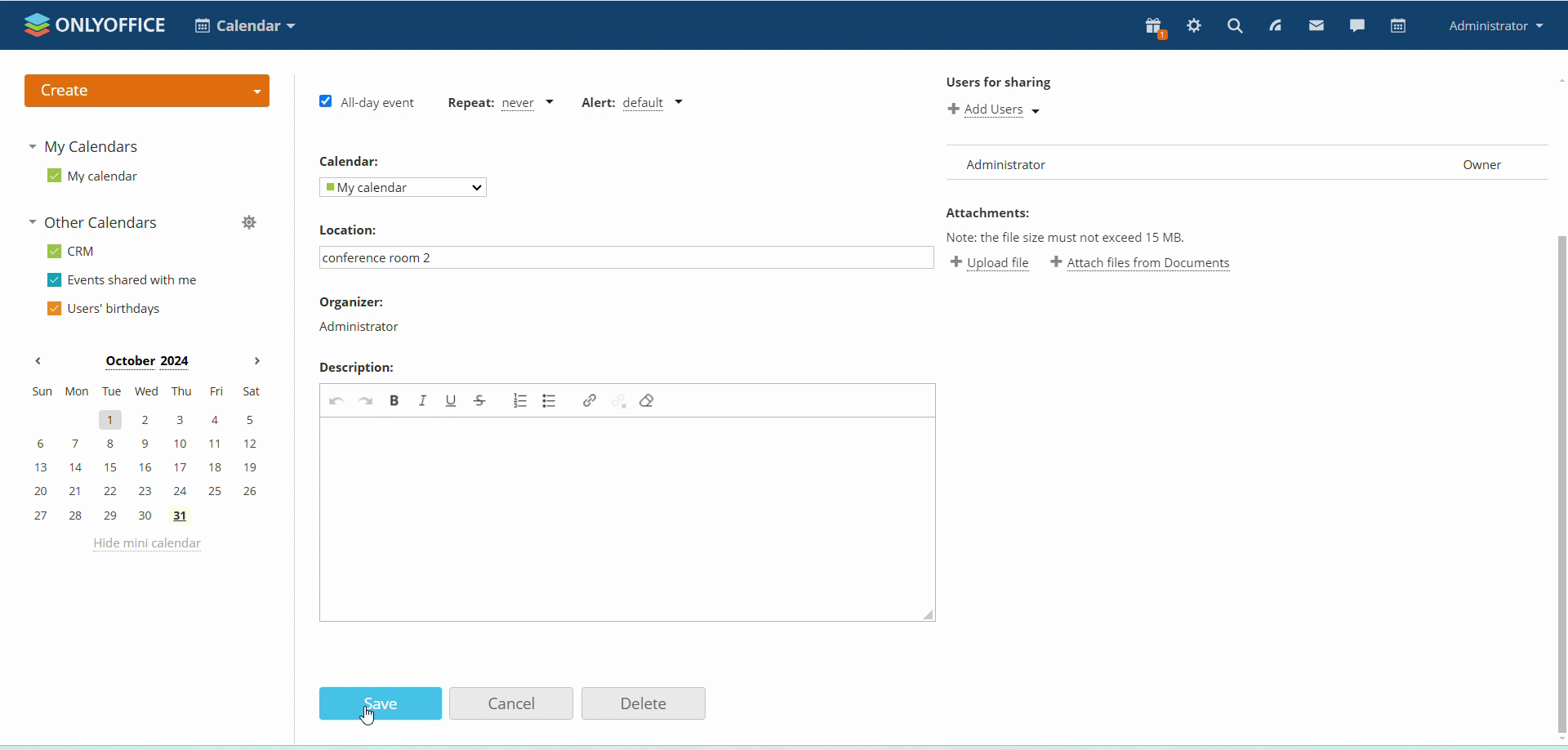  What do you see at coordinates (641, 703) in the screenshot?
I see `Delete` at bounding box center [641, 703].